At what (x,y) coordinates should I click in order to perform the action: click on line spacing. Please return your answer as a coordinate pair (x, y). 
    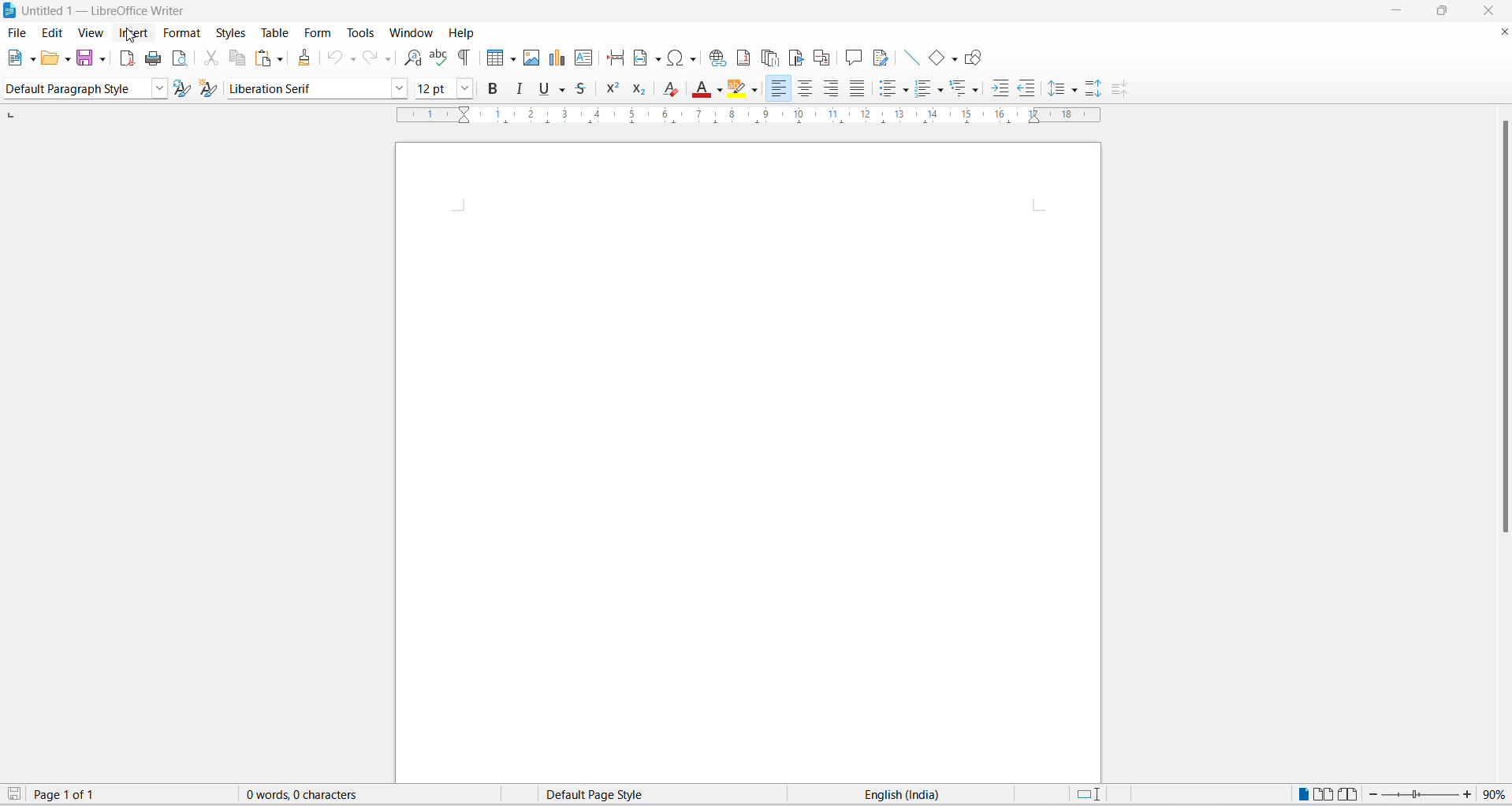
    Looking at the image, I should click on (1059, 90).